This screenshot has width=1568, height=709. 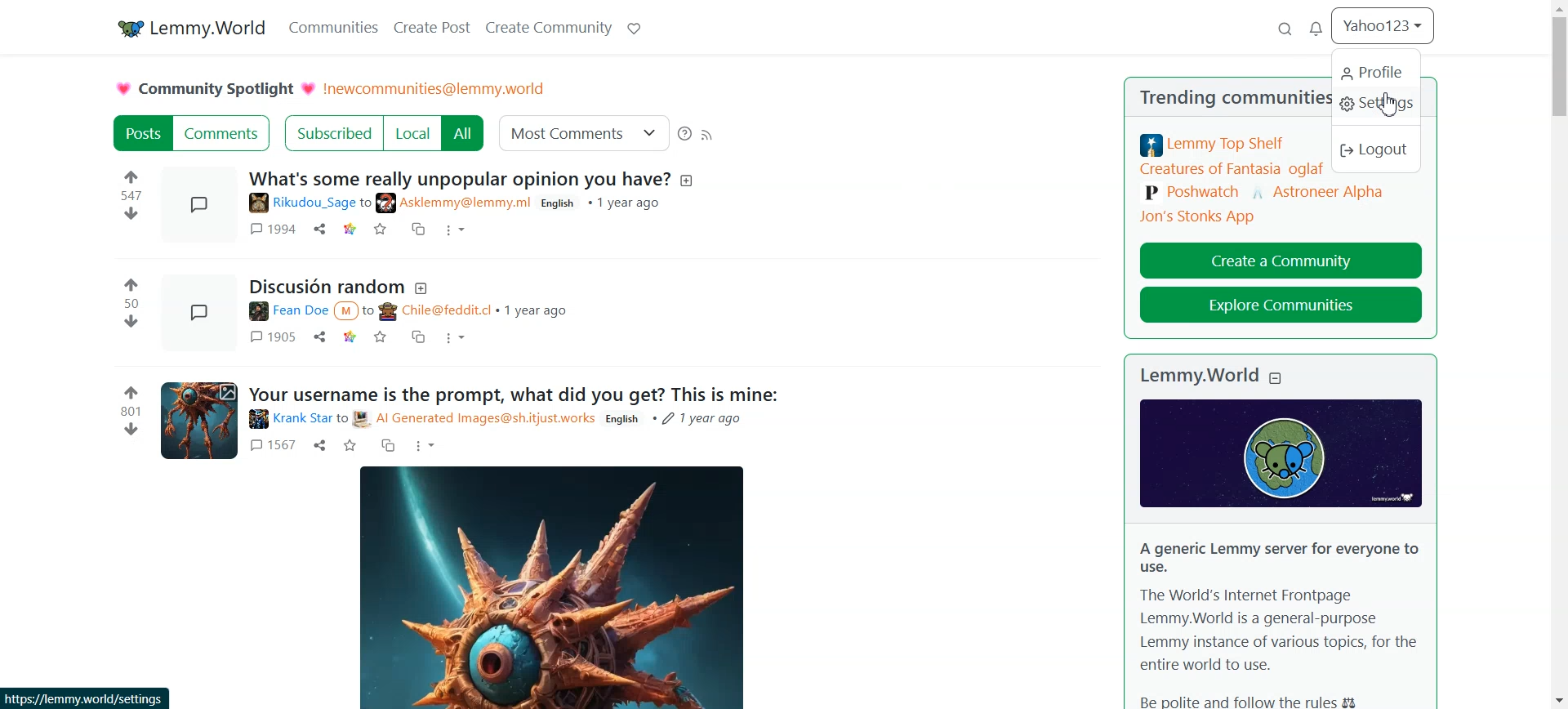 I want to click on 547, so click(x=134, y=195).